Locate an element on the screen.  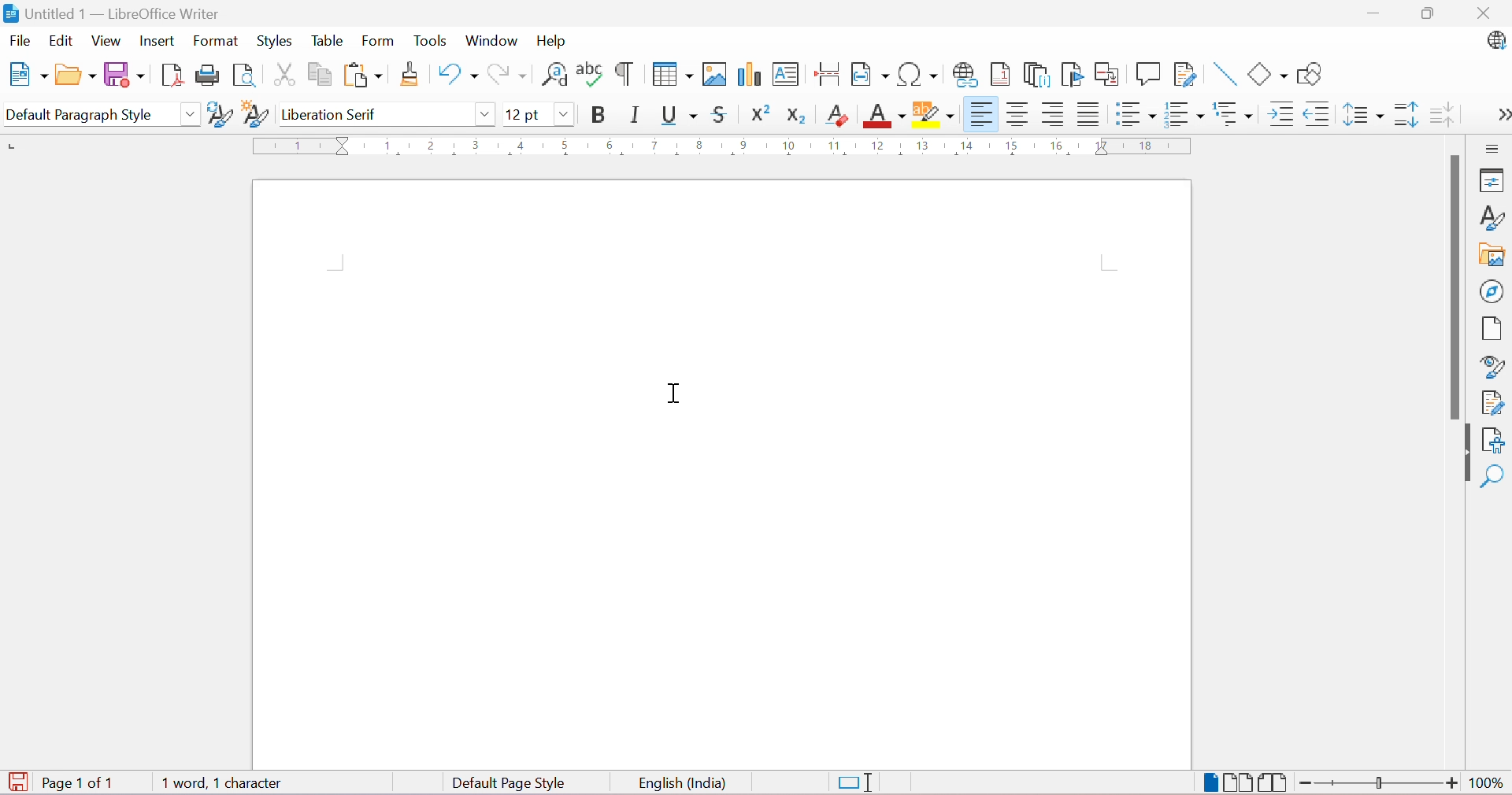
Single-page View is located at coordinates (1211, 782).